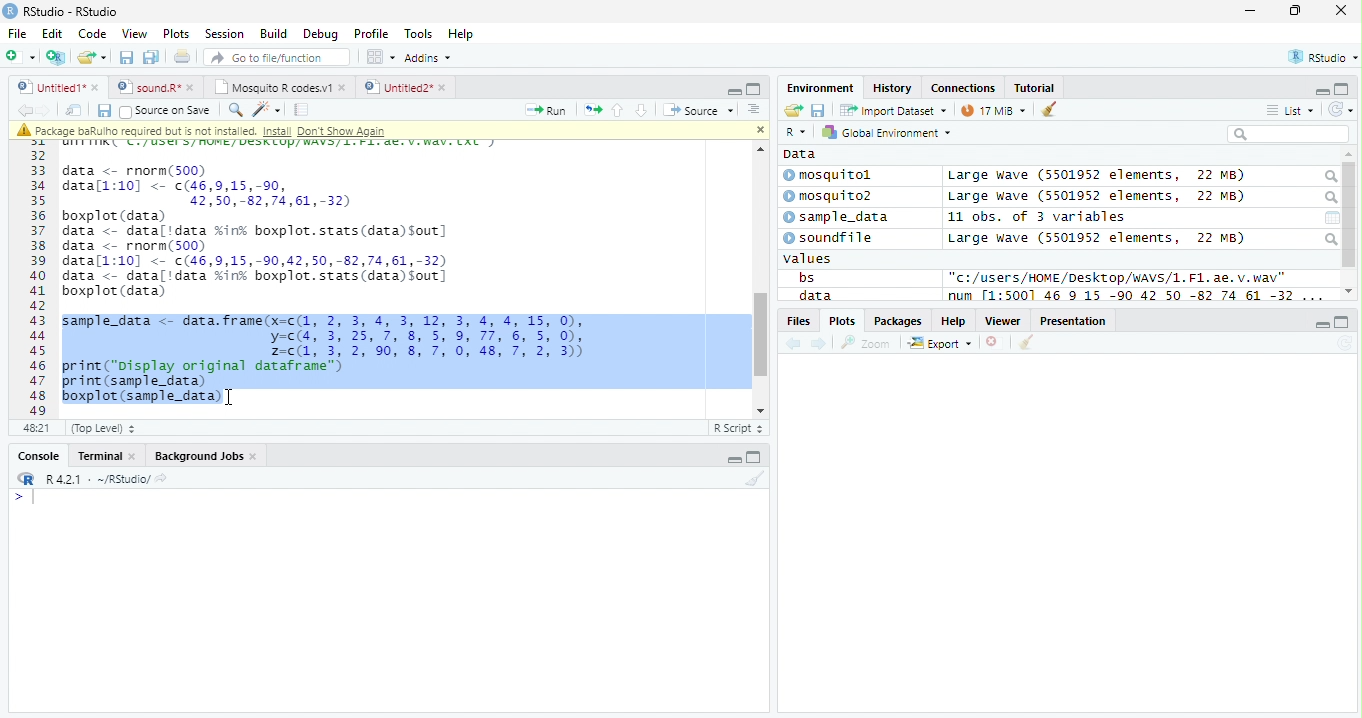 The height and width of the screenshot is (718, 1362). Describe the element at coordinates (1073, 320) in the screenshot. I see `Presentation` at that location.